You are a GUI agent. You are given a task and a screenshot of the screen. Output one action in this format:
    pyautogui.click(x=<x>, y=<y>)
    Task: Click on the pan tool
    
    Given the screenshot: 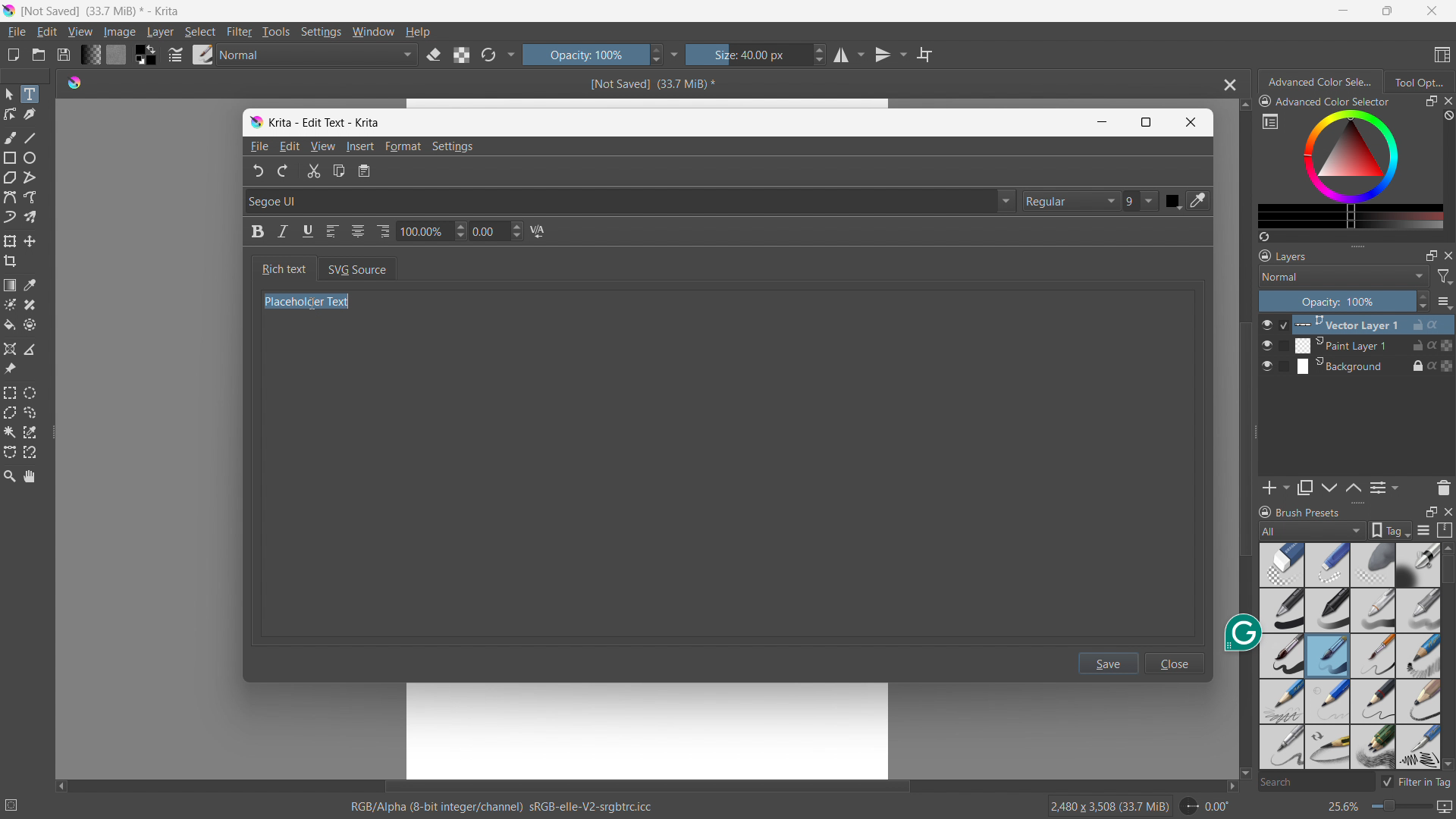 What is the action you would take?
    pyautogui.click(x=30, y=476)
    